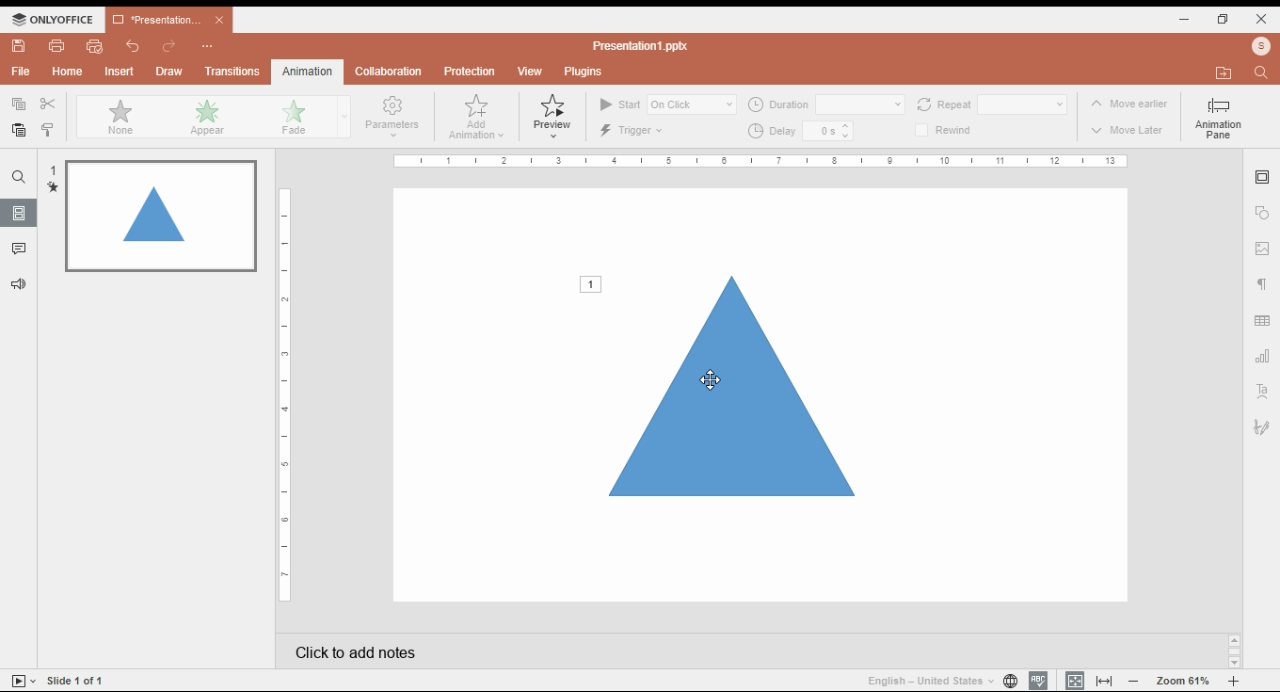  Describe the element at coordinates (22, 46) in the screenshot. I see `save` at that location.